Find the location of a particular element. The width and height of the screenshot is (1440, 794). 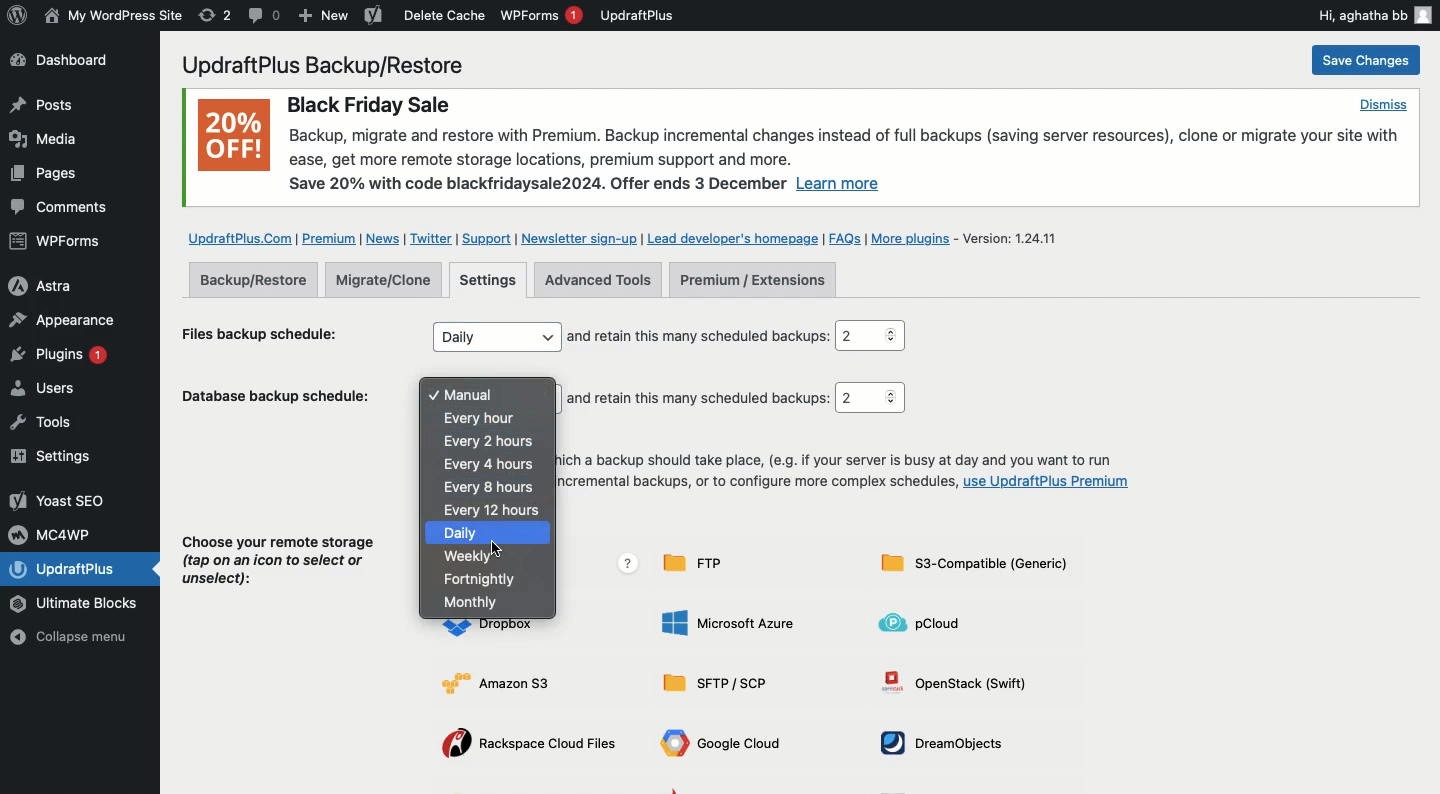

Premium  is located at coordinates (331, 239).